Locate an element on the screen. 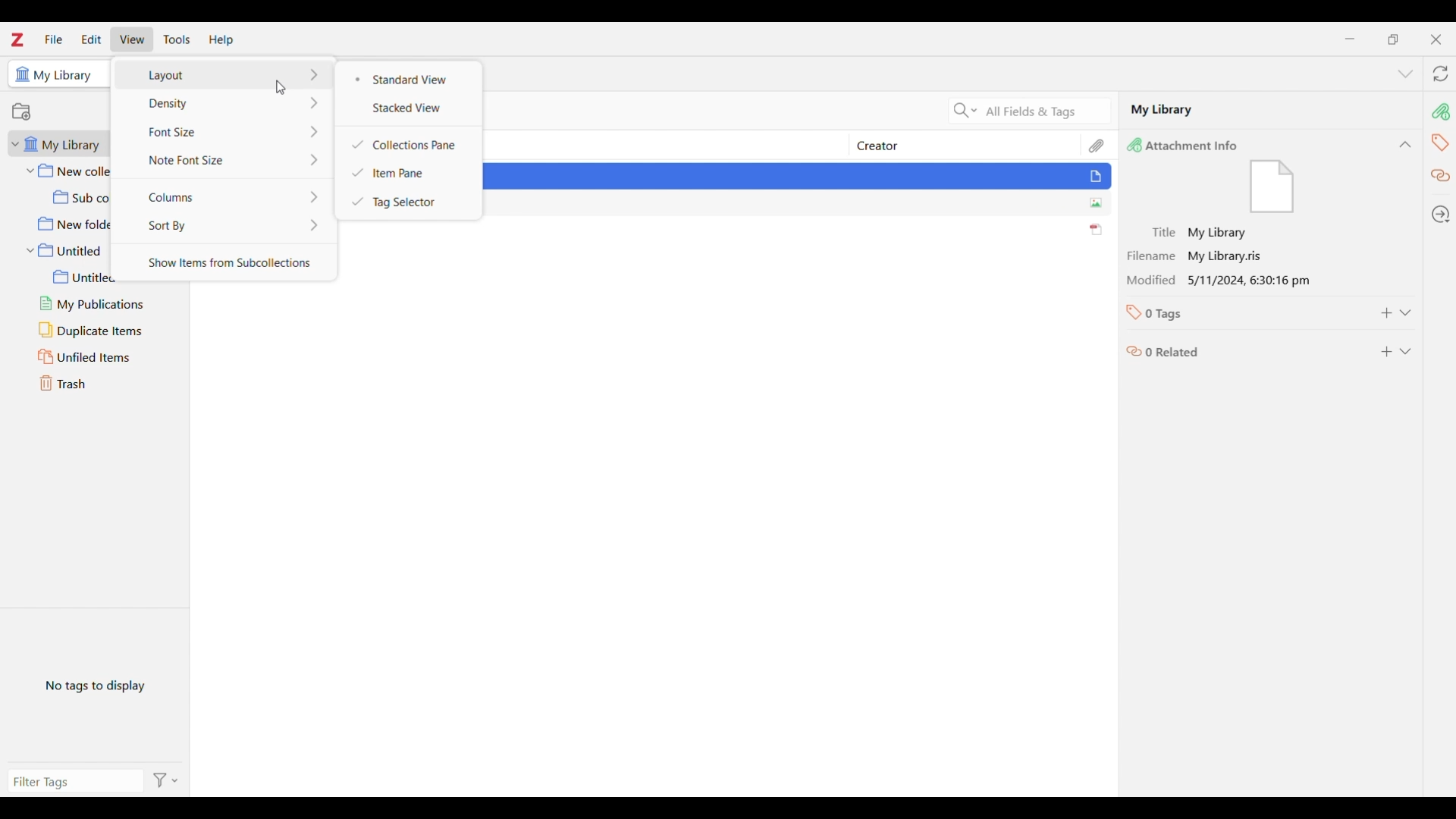  File menu is located at coordinates (54, 39).